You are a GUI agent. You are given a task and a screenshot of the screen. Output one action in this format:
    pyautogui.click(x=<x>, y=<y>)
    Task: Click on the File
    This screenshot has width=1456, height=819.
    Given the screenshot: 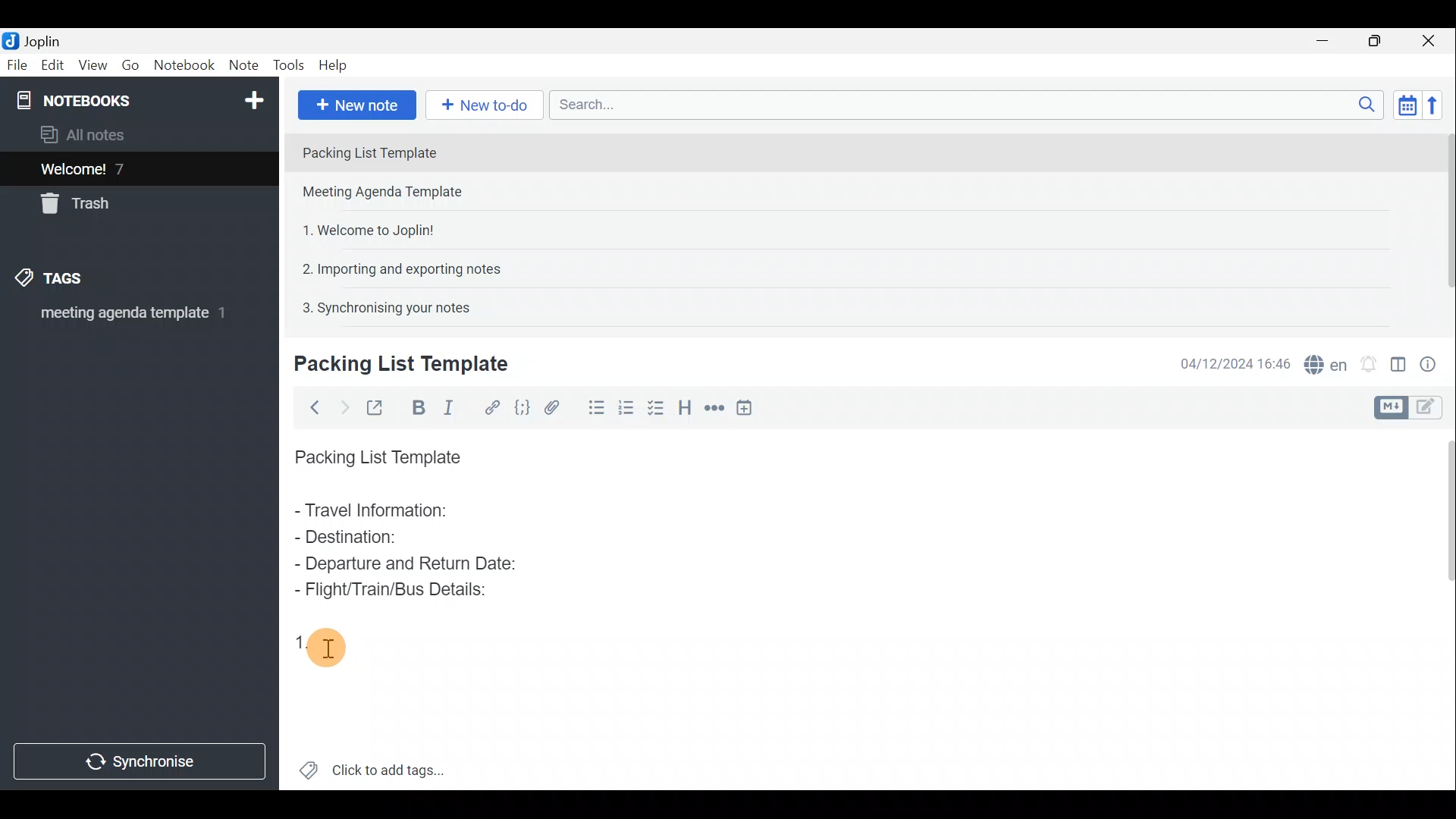 What is the action you would take?
    pyautogui.click(x=15, y=64)
    